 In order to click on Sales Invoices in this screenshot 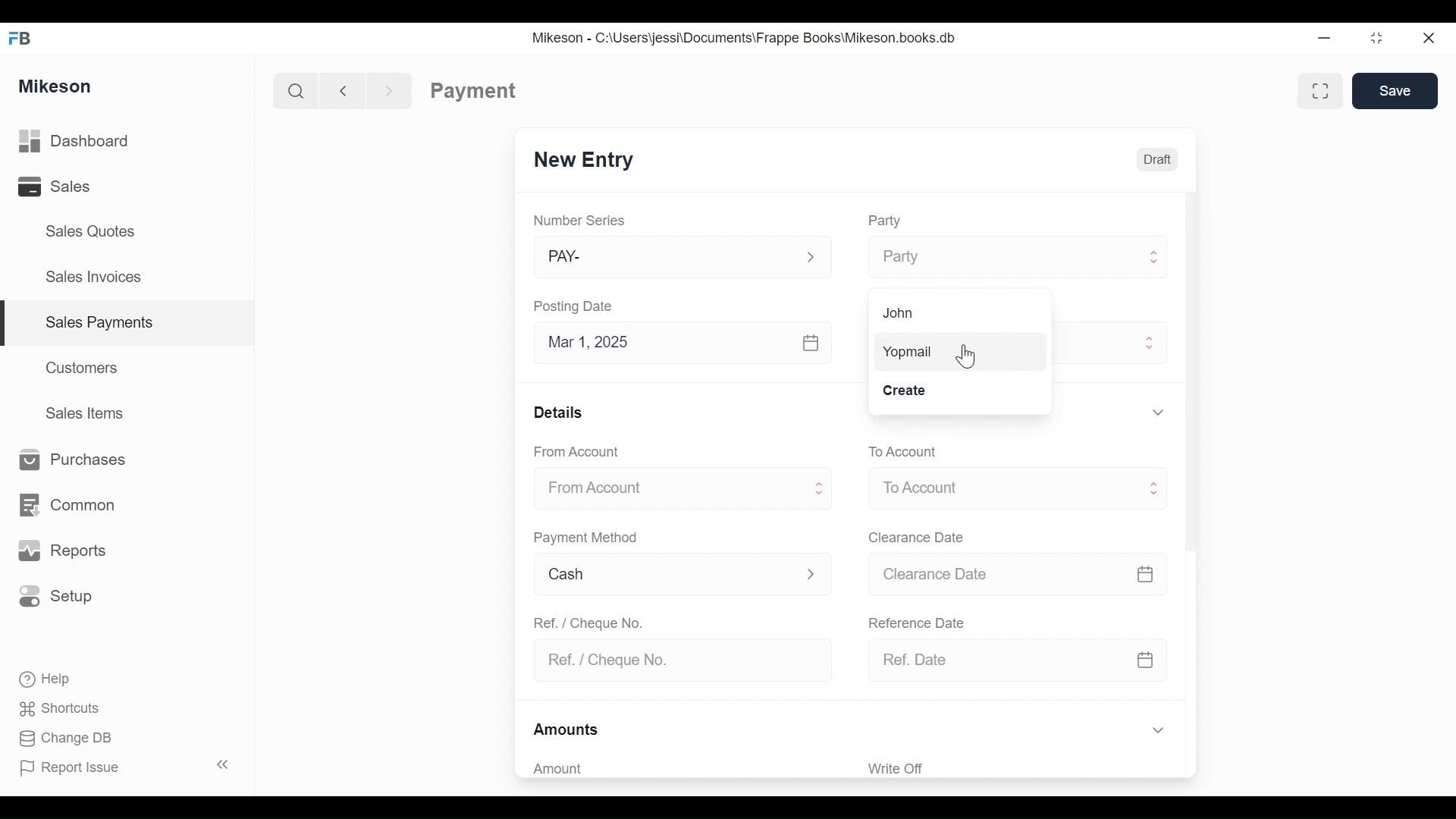, I will do `click(88, 278)`.